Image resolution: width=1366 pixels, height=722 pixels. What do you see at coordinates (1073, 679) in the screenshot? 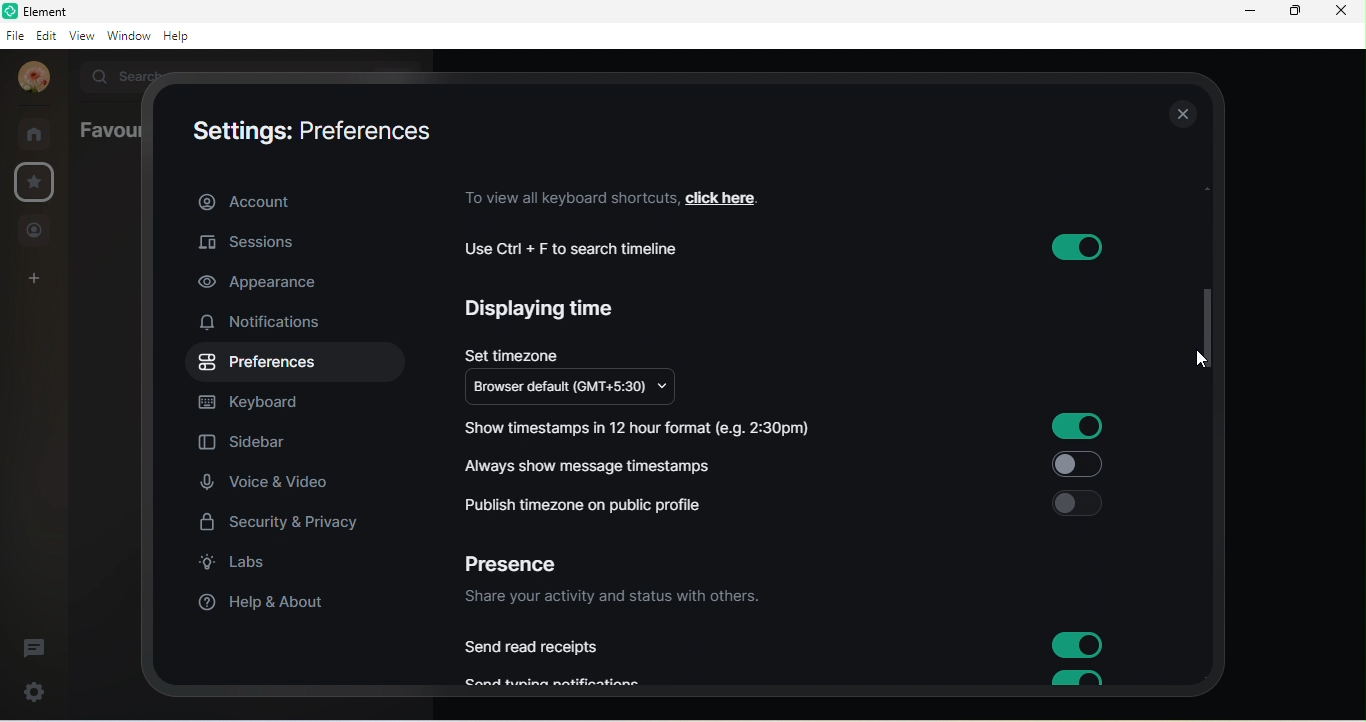
I see `button` at bounding box center [1073, 679].